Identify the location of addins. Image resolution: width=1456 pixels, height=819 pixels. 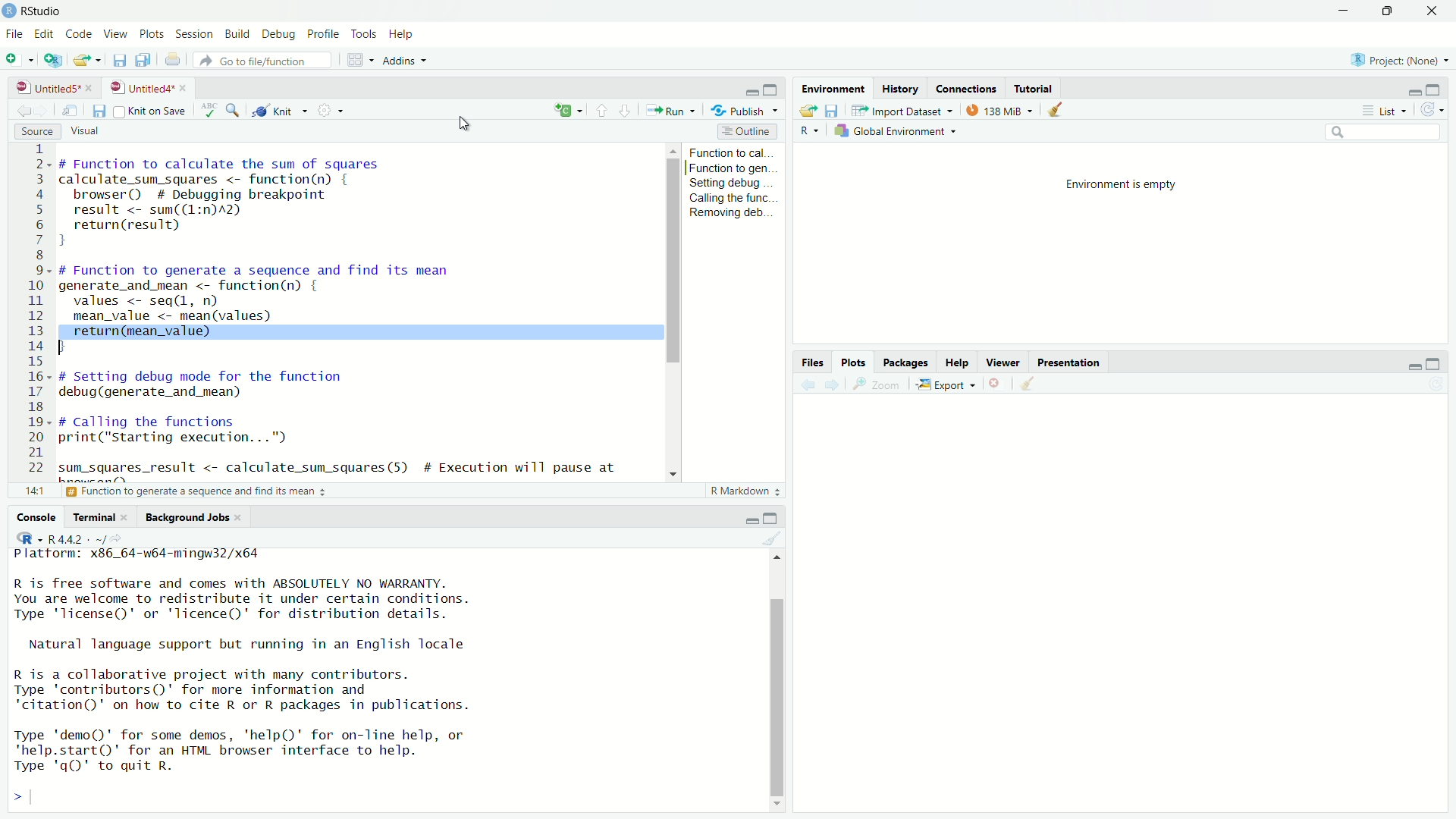
(406, 58).